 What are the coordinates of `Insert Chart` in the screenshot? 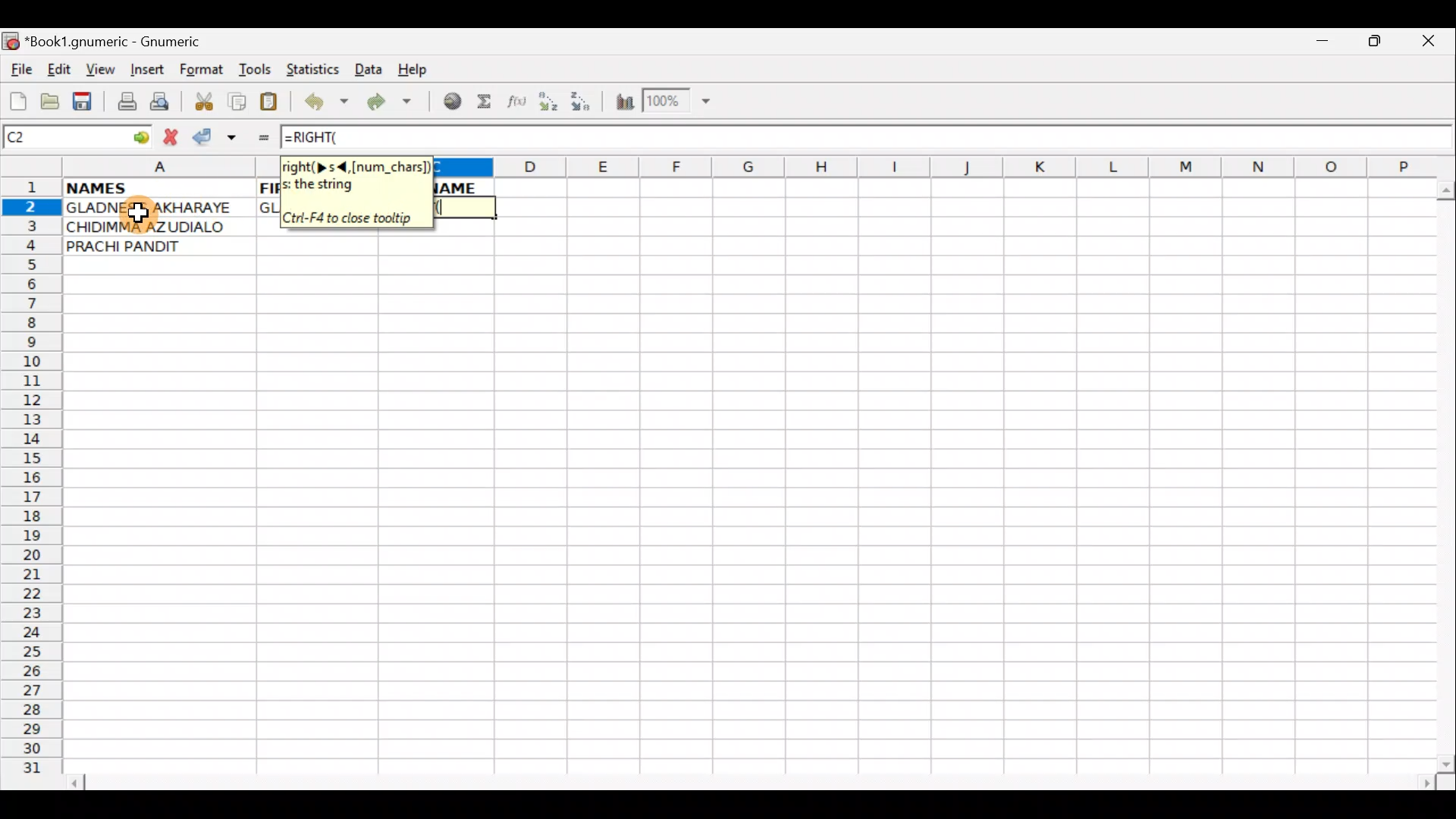 It's located at (620, 104).